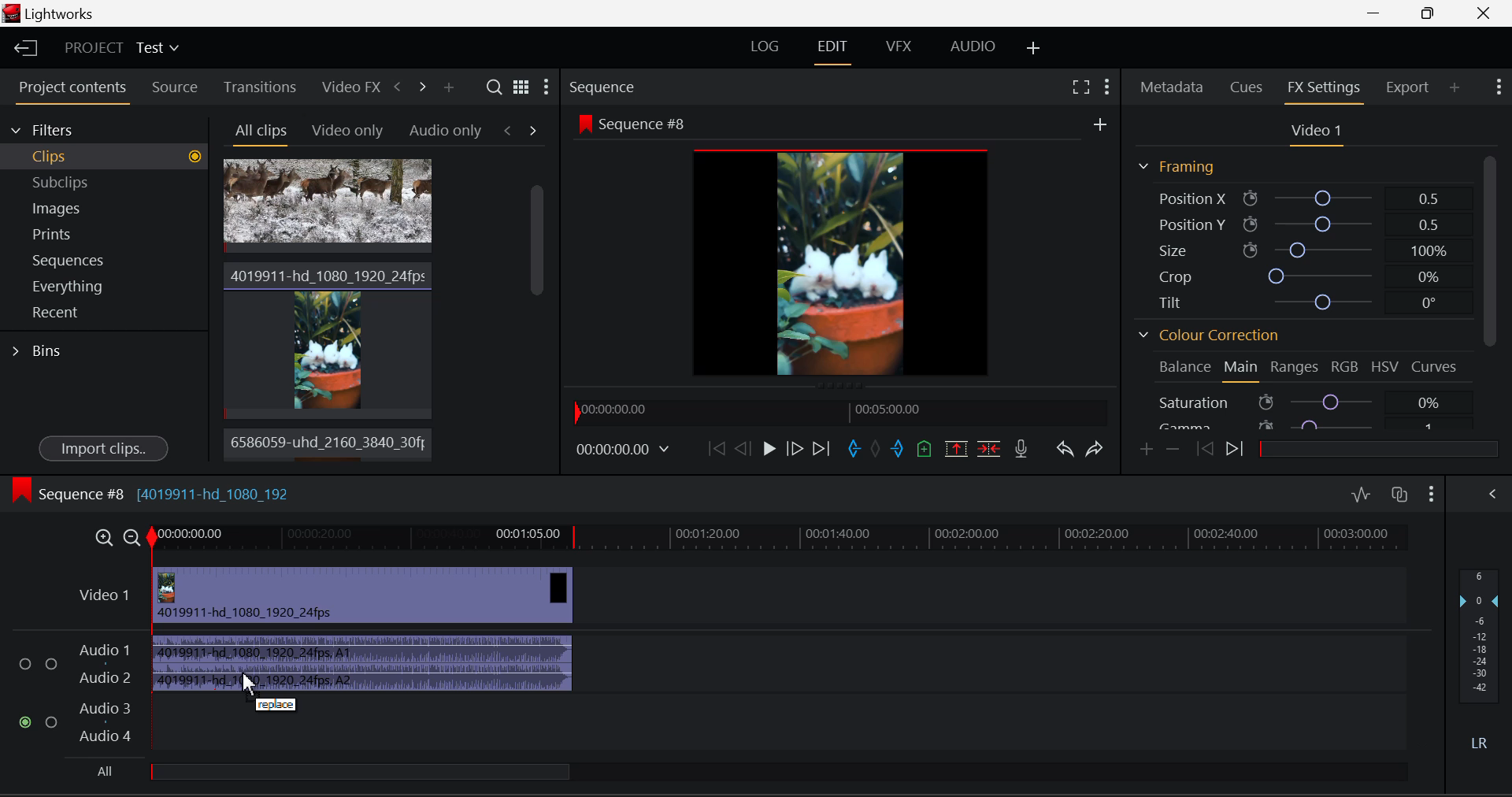 This screenshot has height=797, width=1512. Describe the element at coordinates (1385, 365) in the screenshot. I see `HSV` at that location.